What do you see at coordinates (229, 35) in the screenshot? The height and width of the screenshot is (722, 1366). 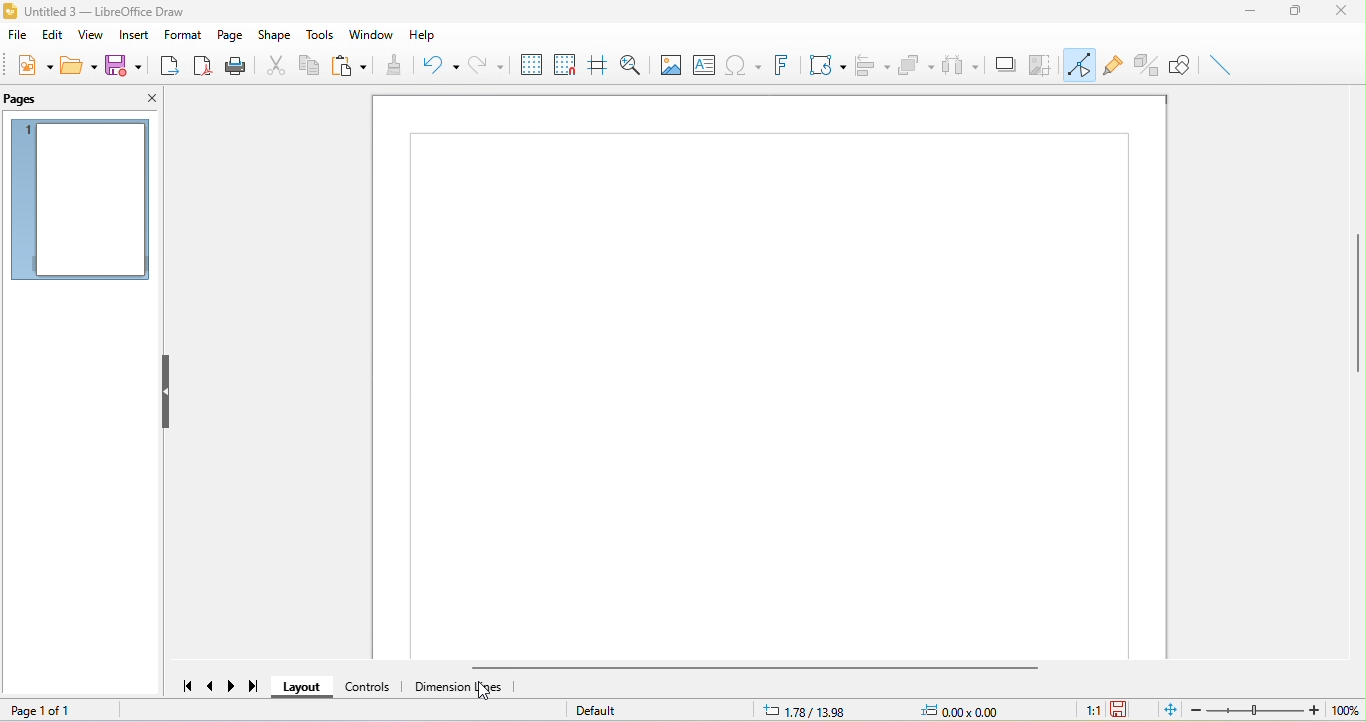 I see `page` at bounding box center [229, 35].